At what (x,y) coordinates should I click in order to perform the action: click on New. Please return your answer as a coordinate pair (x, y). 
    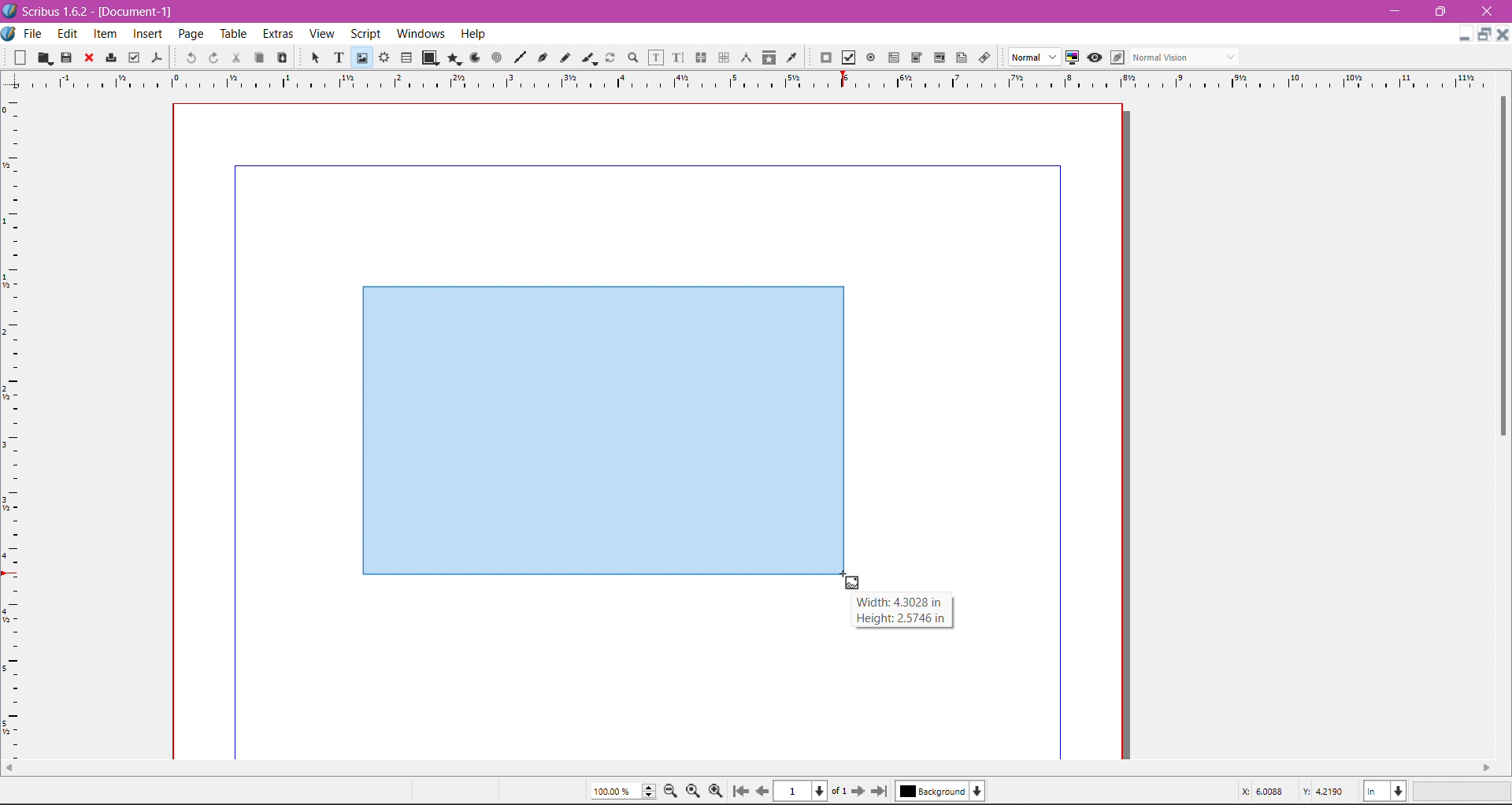
    Looking at the image, I should click on (15, 58).